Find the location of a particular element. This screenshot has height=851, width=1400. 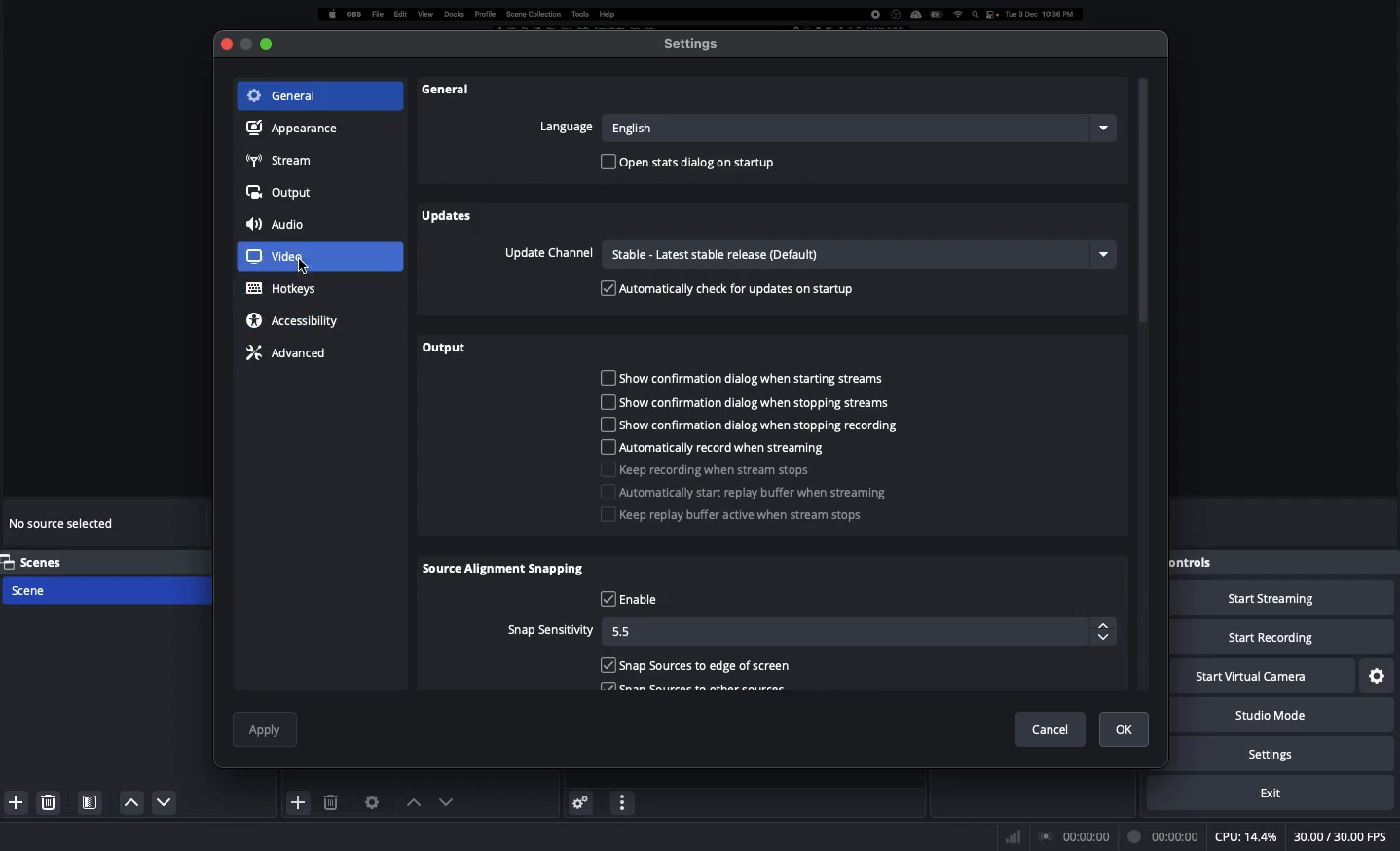

Controls is located at coordinates (1195, 562).